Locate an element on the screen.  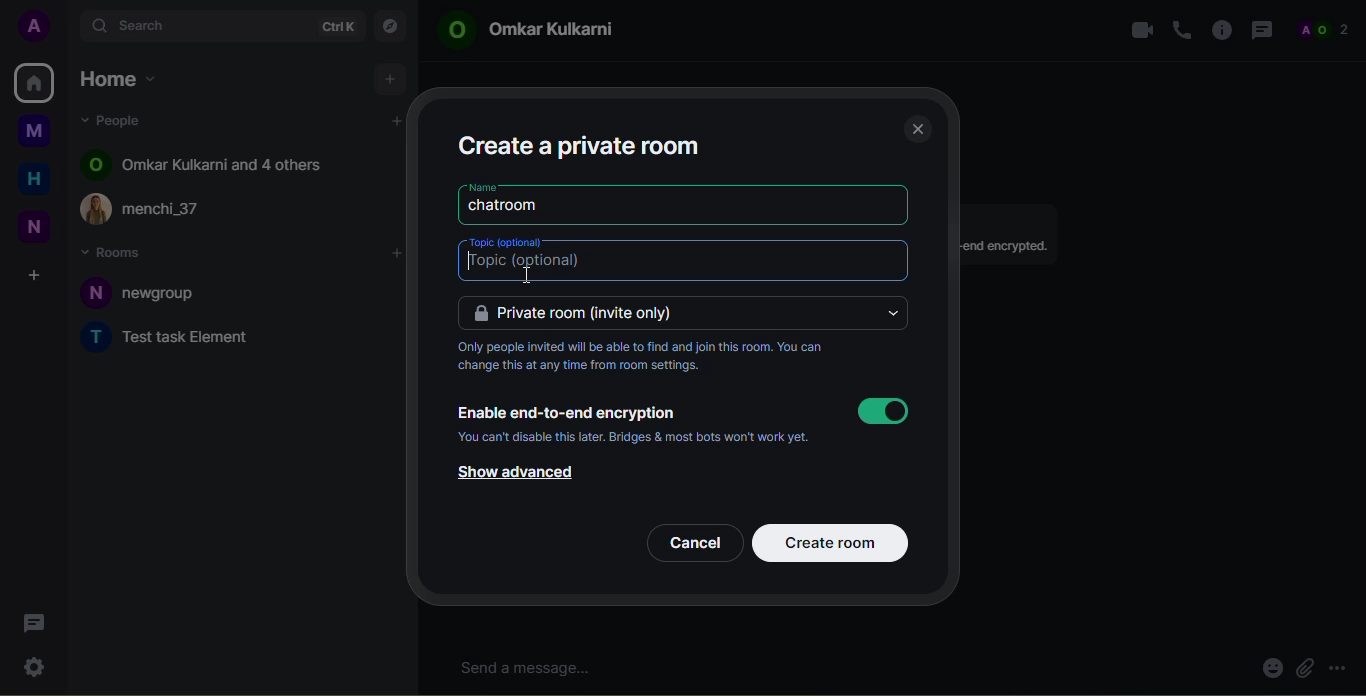
info is located at coordinates (1221, 28).